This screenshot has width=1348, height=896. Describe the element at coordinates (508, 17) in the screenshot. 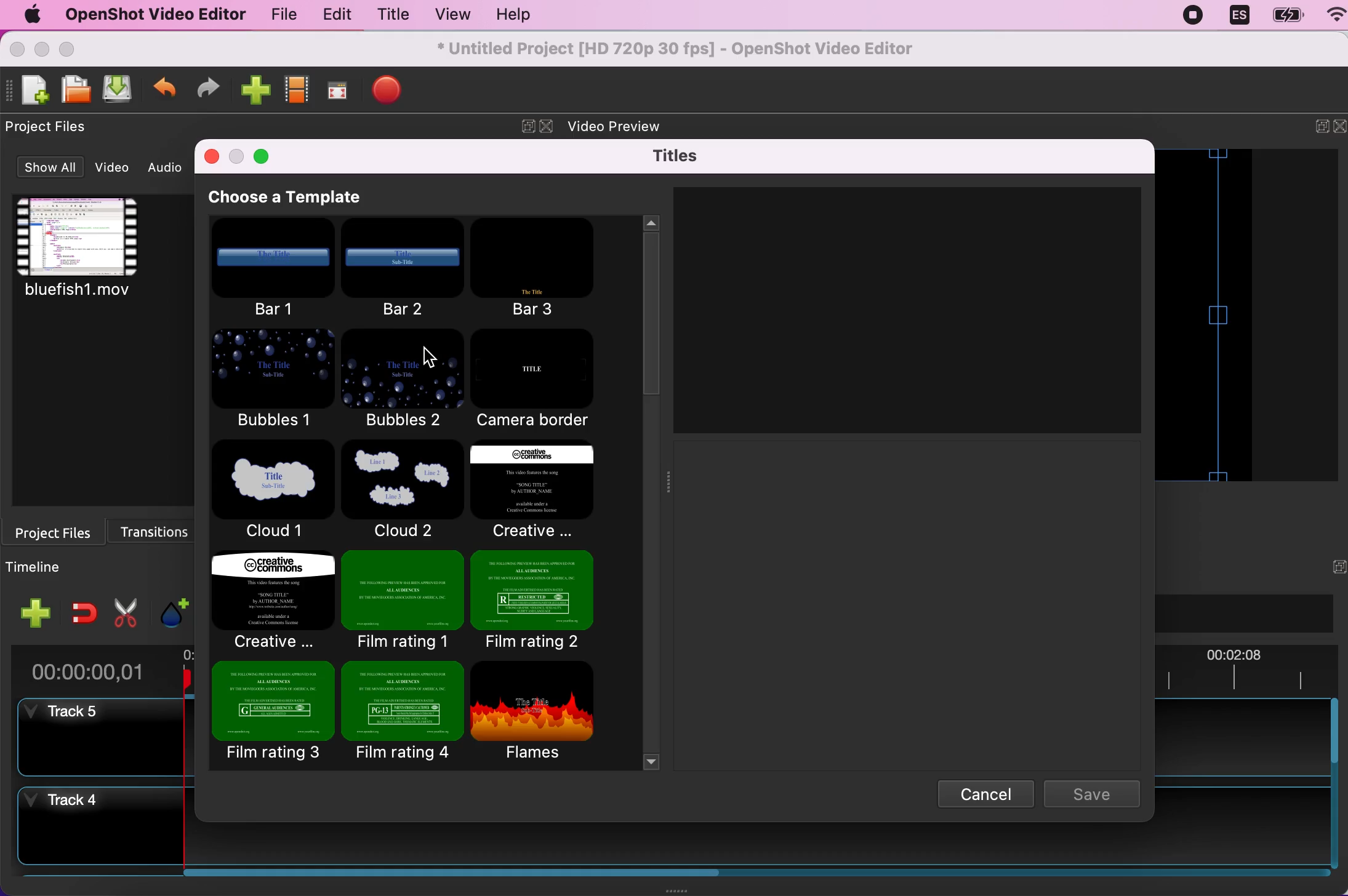

I see `help` at that location.